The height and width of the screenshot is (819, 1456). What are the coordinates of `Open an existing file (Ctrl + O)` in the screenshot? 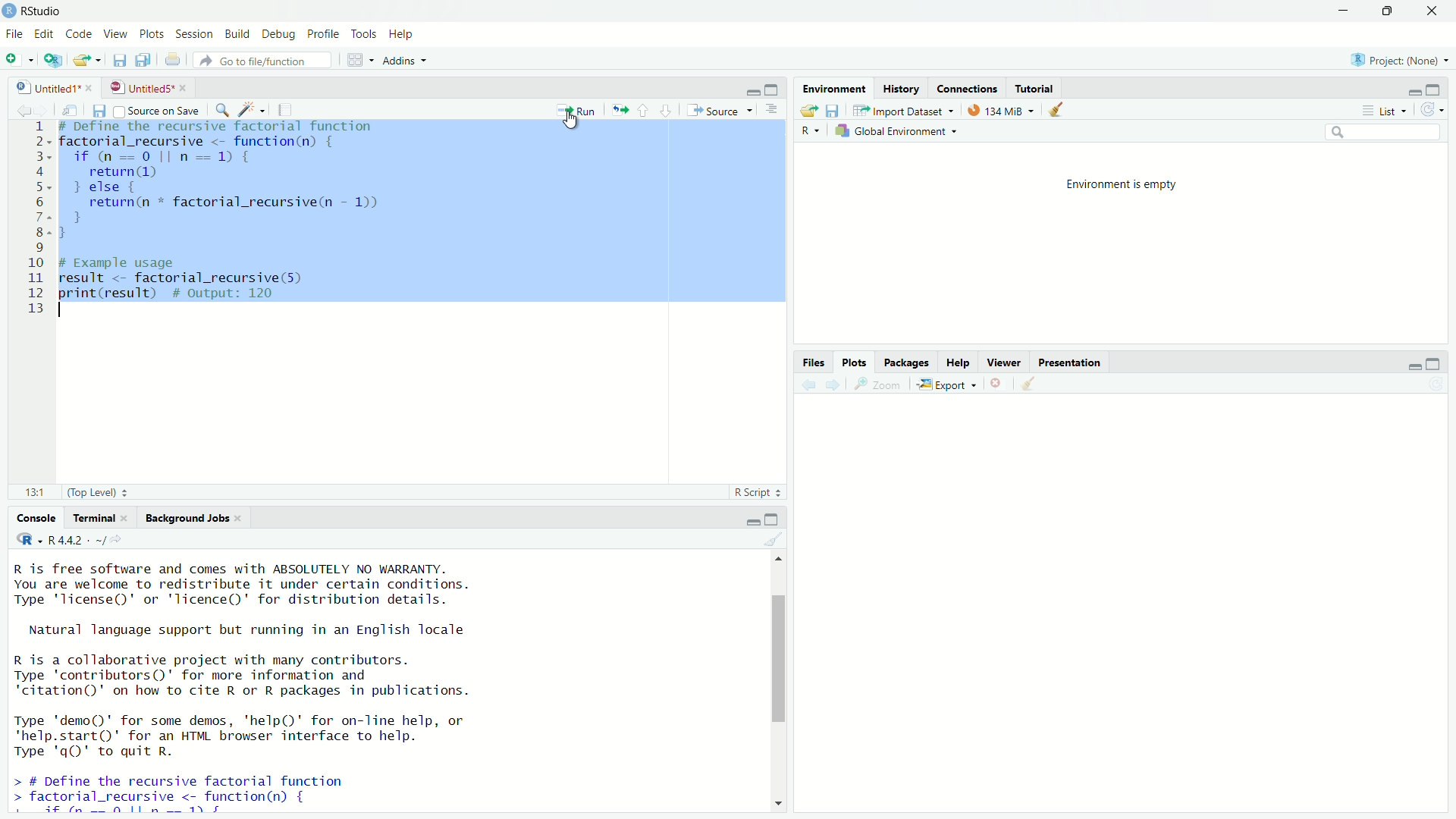 It's located at (87, 62).